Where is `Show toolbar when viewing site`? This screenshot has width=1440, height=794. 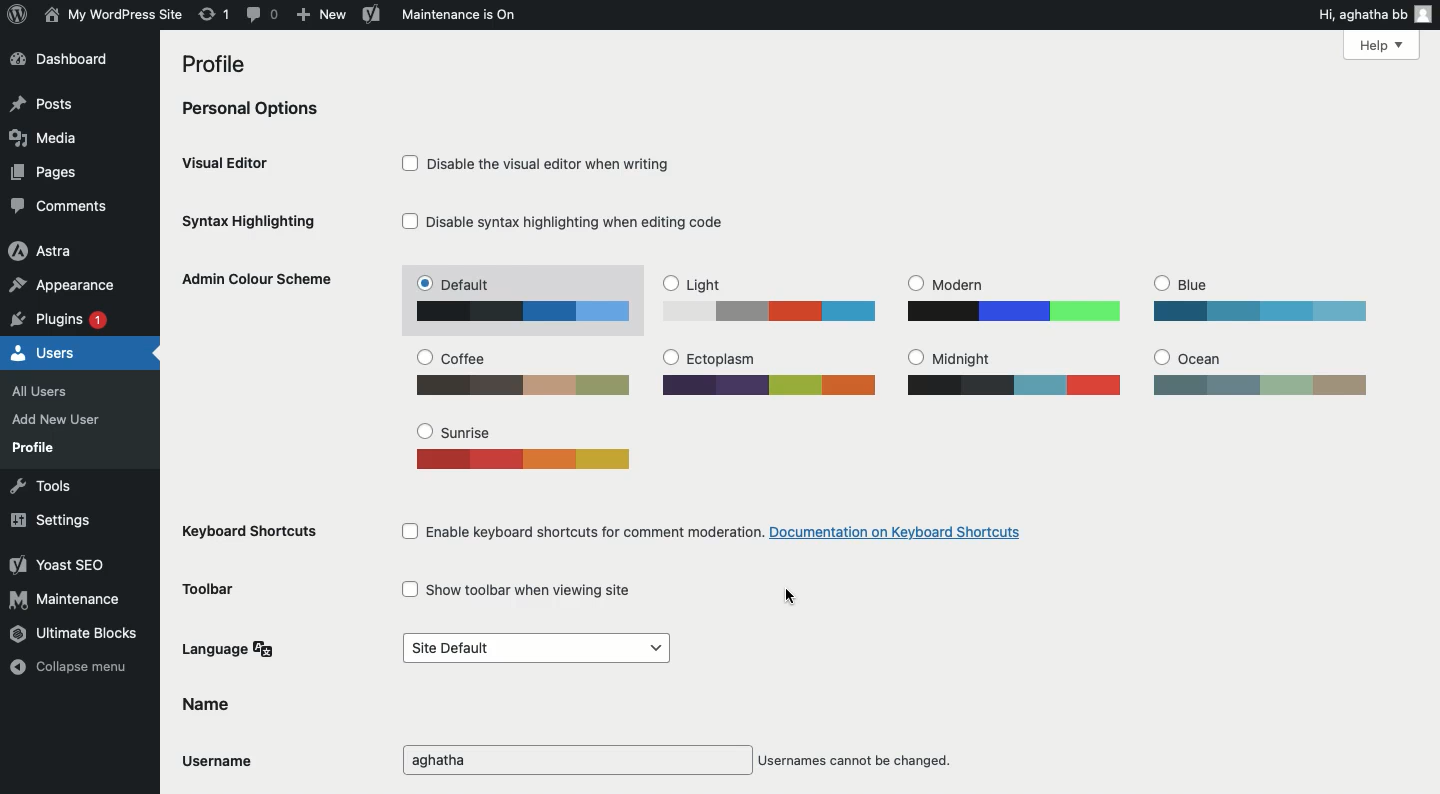
Show toolbar when viewing site is located at coordinates (517, 589).